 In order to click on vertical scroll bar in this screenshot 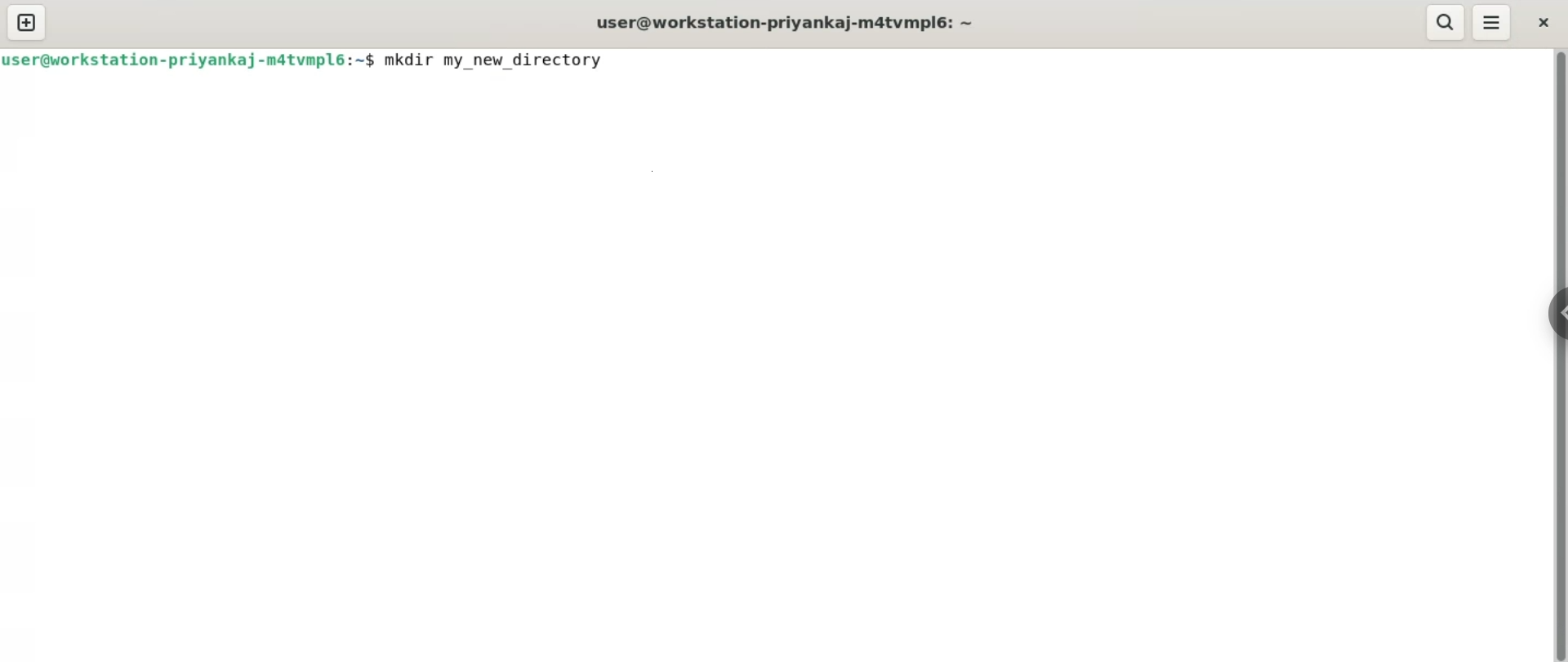, I will do `click(1558, 356)`.